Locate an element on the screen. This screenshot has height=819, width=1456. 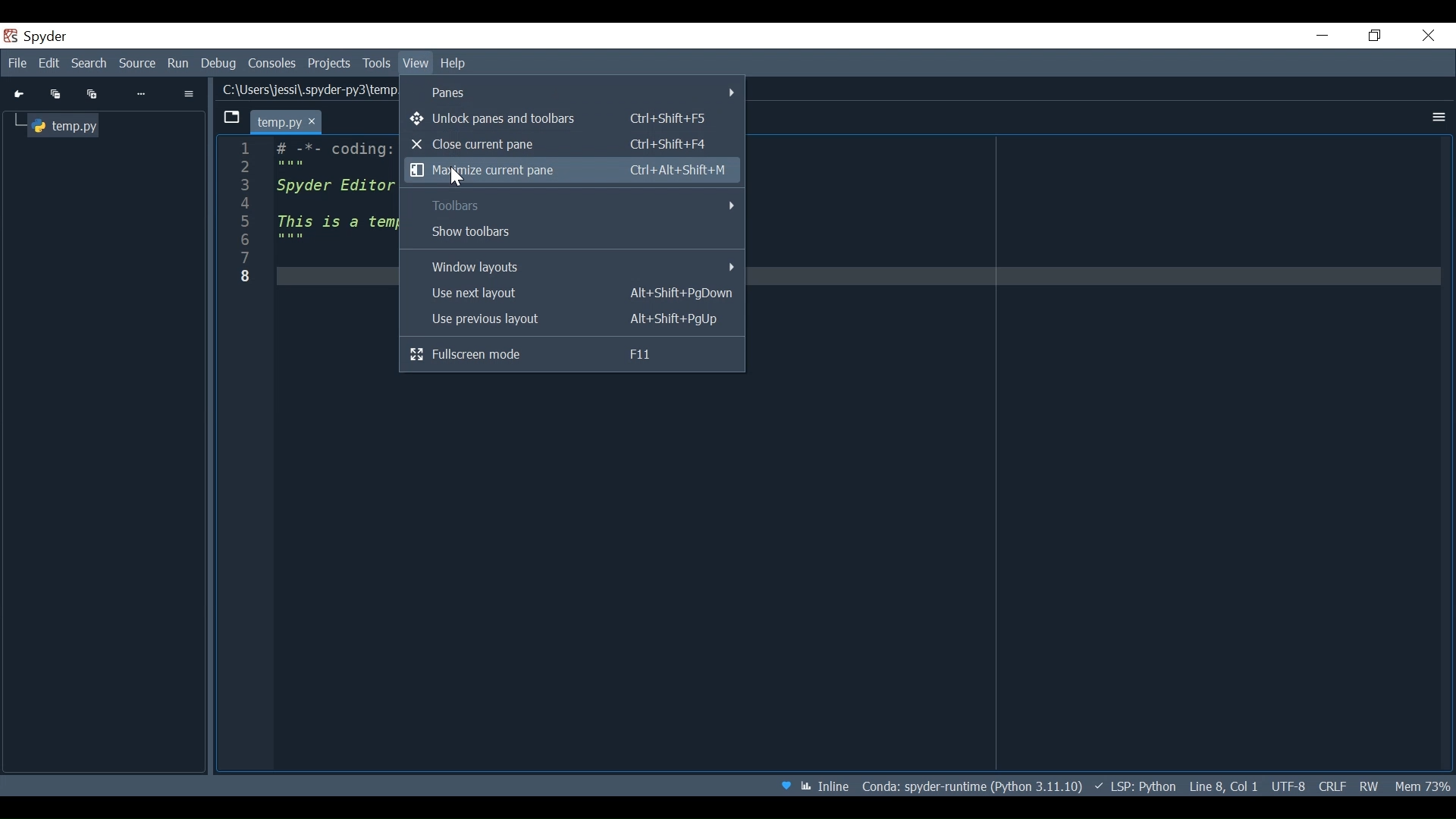
Windows layouts is located at coordinates (571, 268).